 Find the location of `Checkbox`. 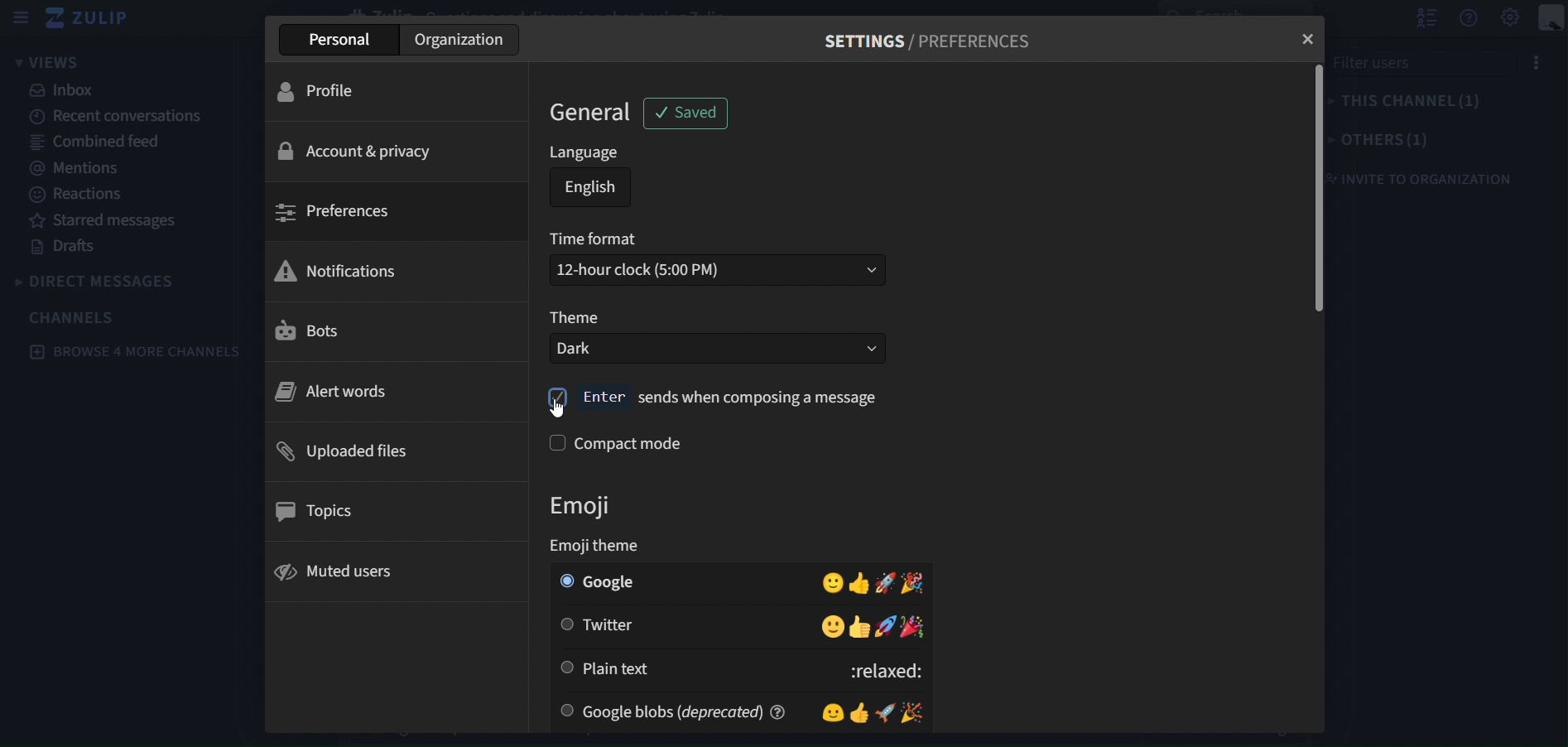

Checkbox is located at coordinates (568, 667).